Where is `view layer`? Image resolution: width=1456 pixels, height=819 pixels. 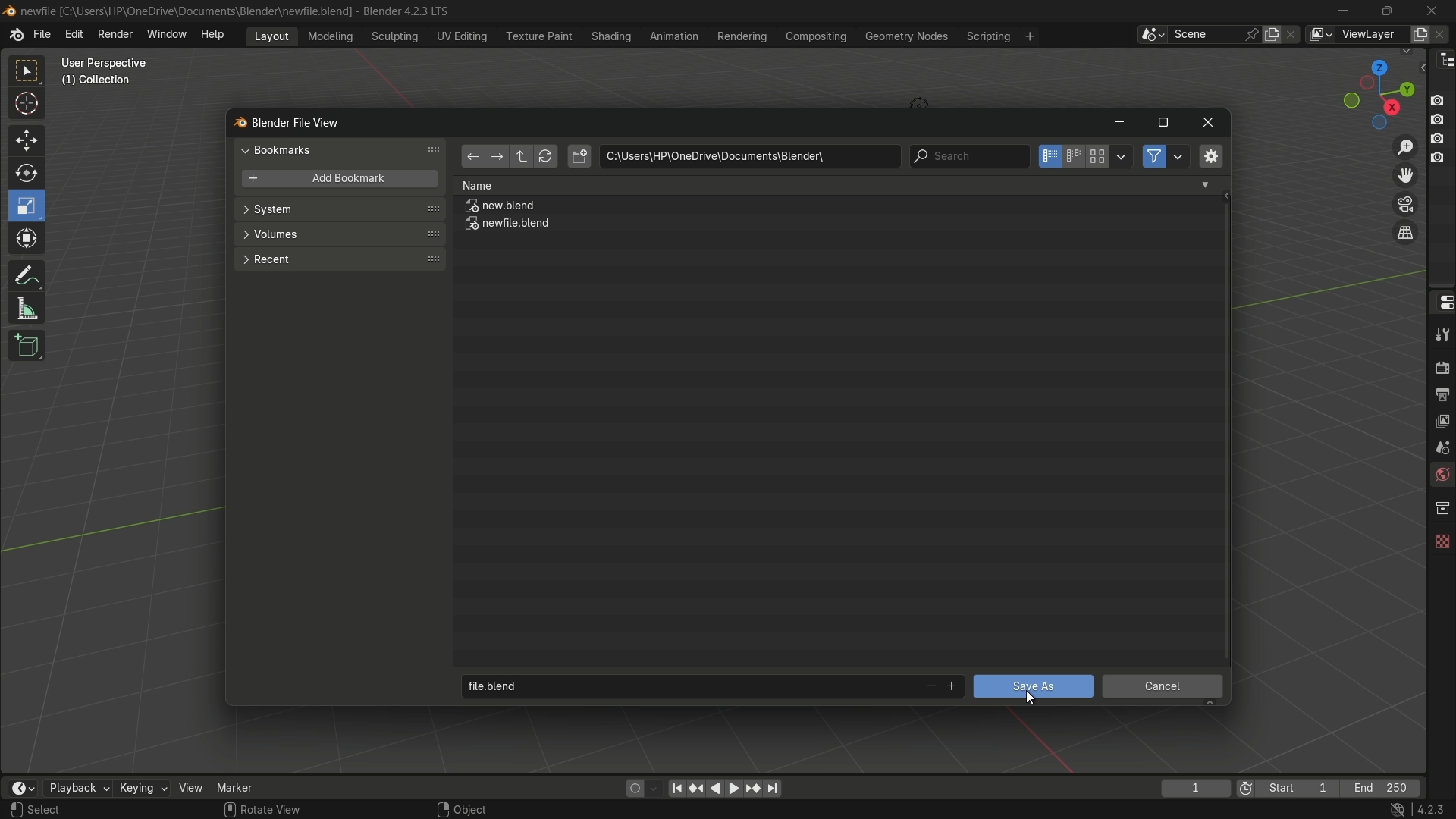
view layer is located at coordinates (1319, 34).